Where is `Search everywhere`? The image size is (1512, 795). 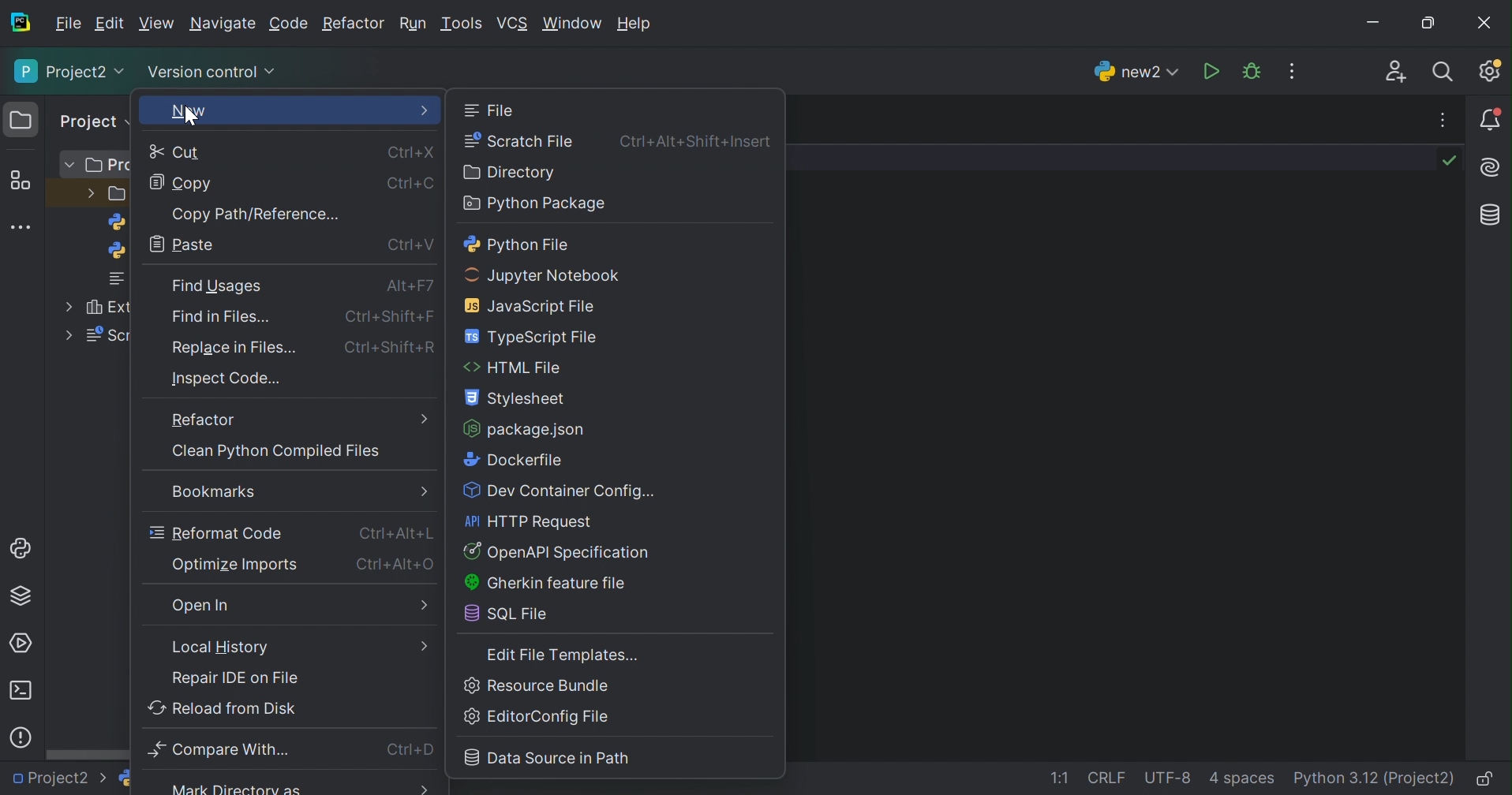 Search everywhere is located at coordinates (1449, 73).